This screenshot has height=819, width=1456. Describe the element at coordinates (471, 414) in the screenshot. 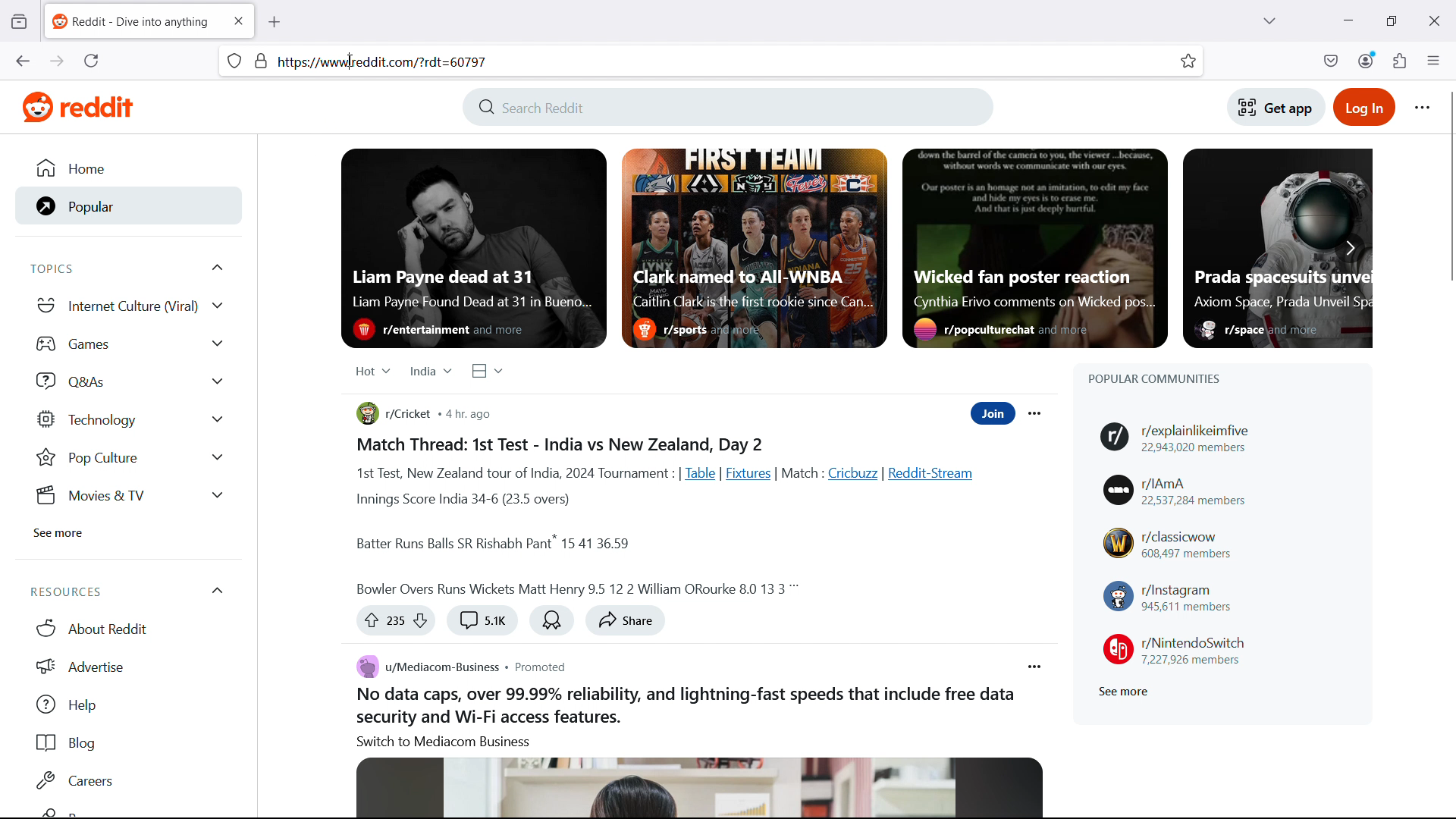

I see `Post publication time` at that location.